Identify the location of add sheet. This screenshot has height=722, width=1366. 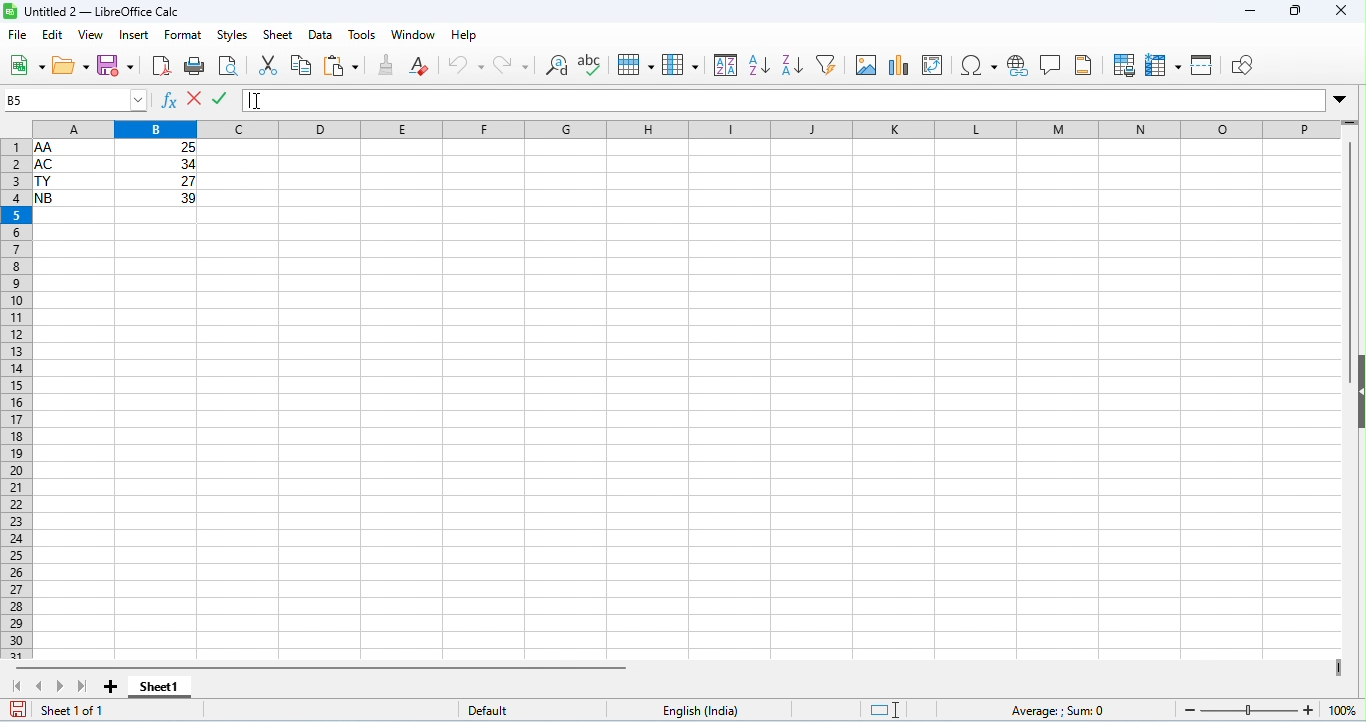
(114, 687).